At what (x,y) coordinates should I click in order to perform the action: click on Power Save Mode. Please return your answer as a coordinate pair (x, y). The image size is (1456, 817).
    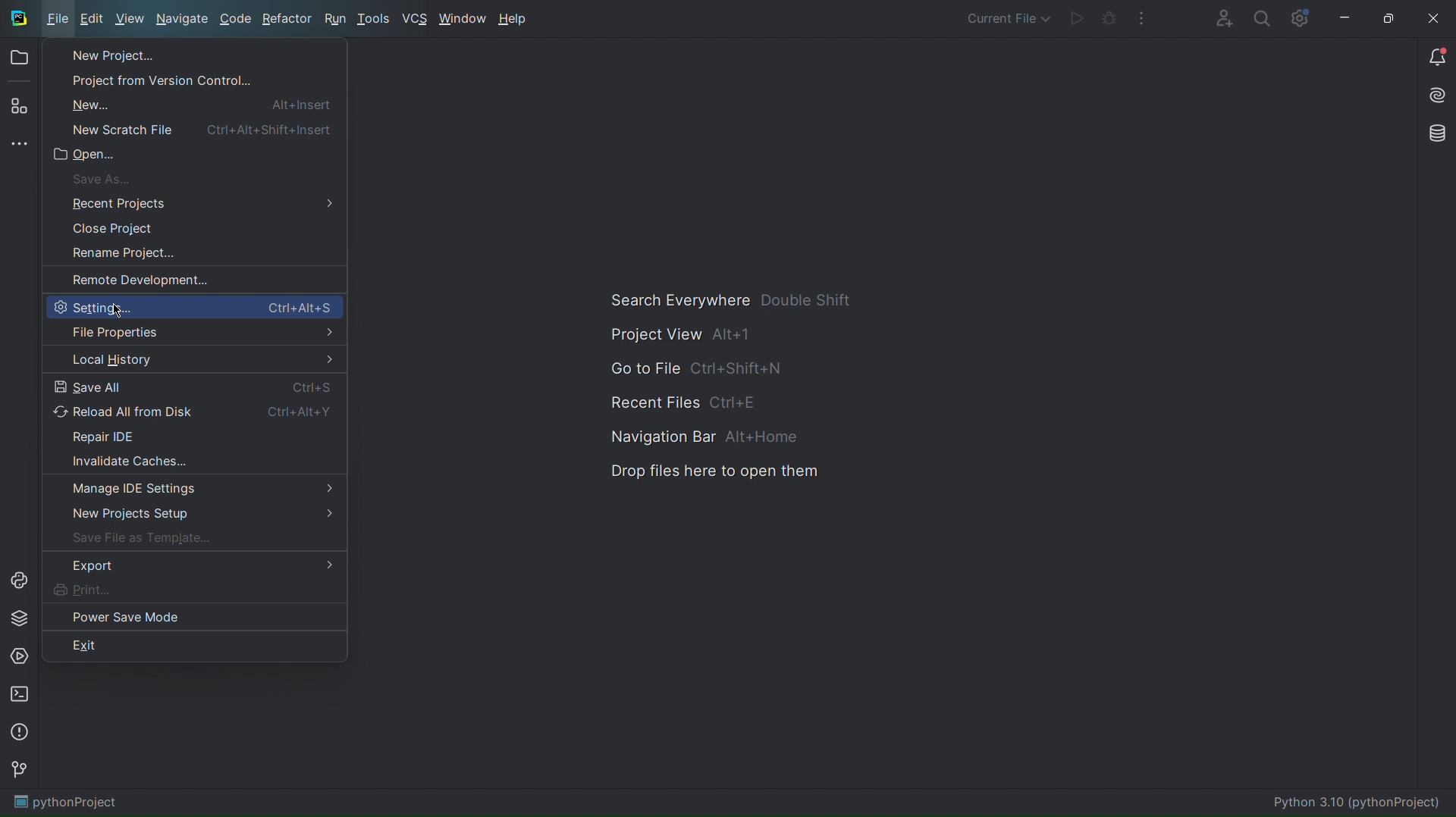
    Looking at the image, I should click on (198, 620).